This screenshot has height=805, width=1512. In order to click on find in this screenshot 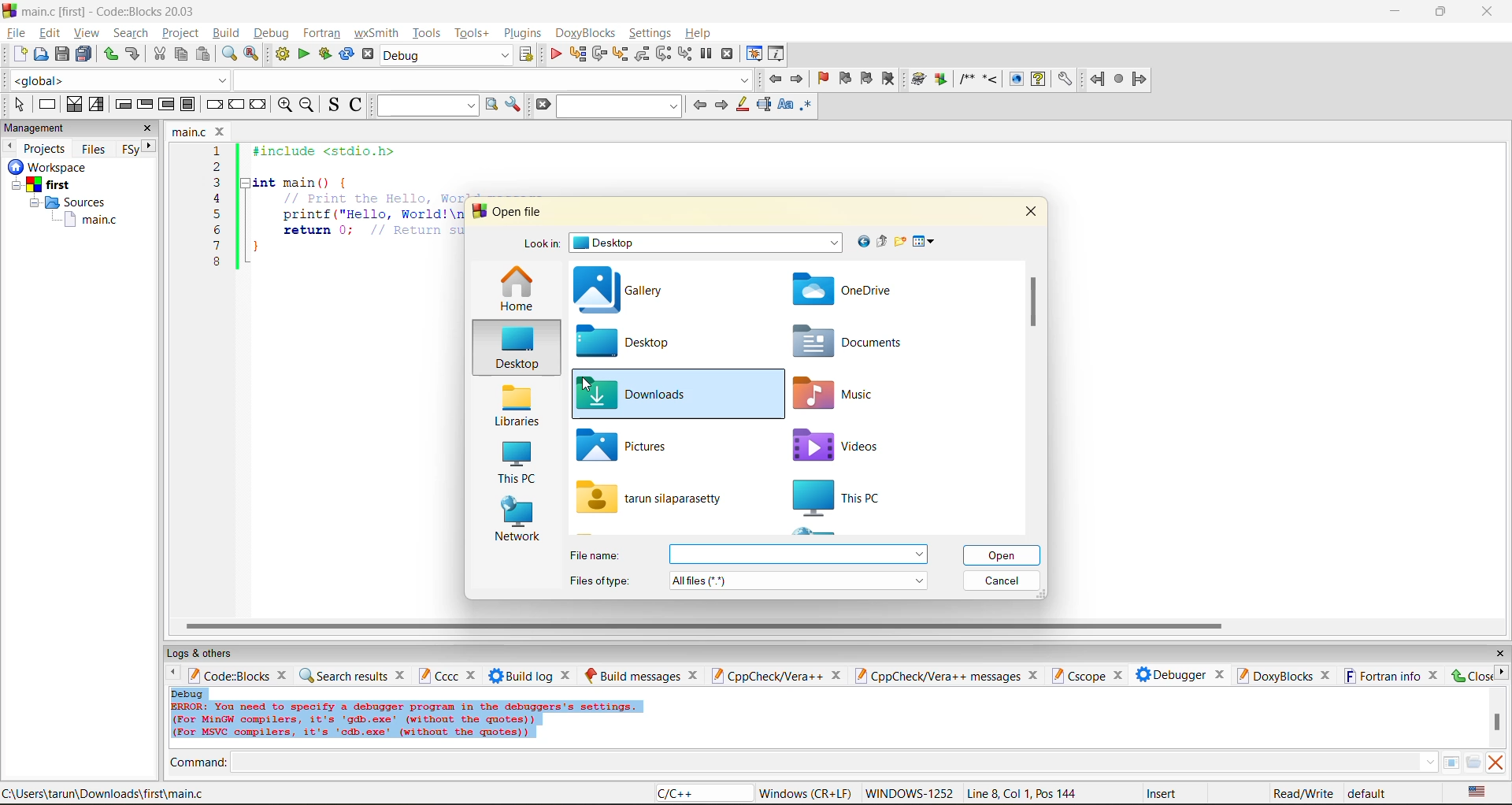, I will do `click(228, 54)`.